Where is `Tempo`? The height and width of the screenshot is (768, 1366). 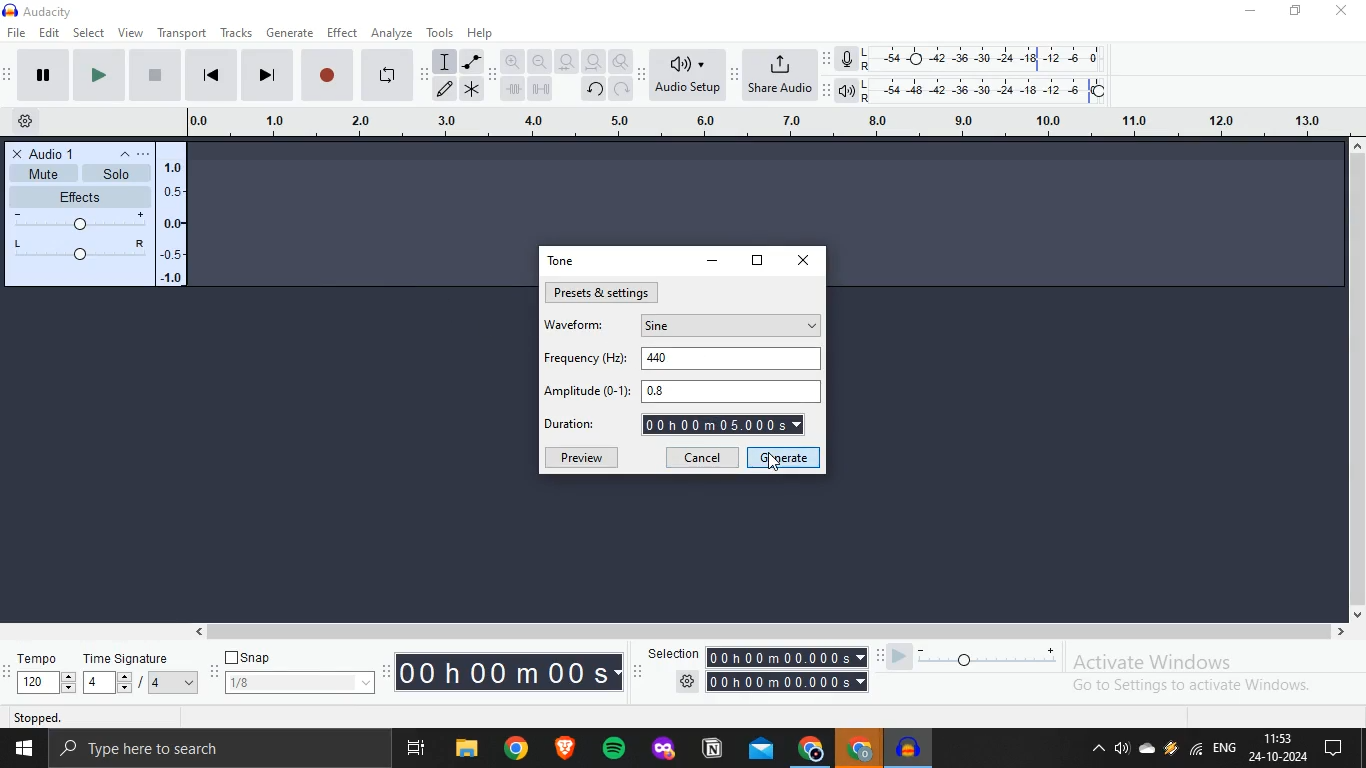 Tempo is located at coordinates (38, 673).